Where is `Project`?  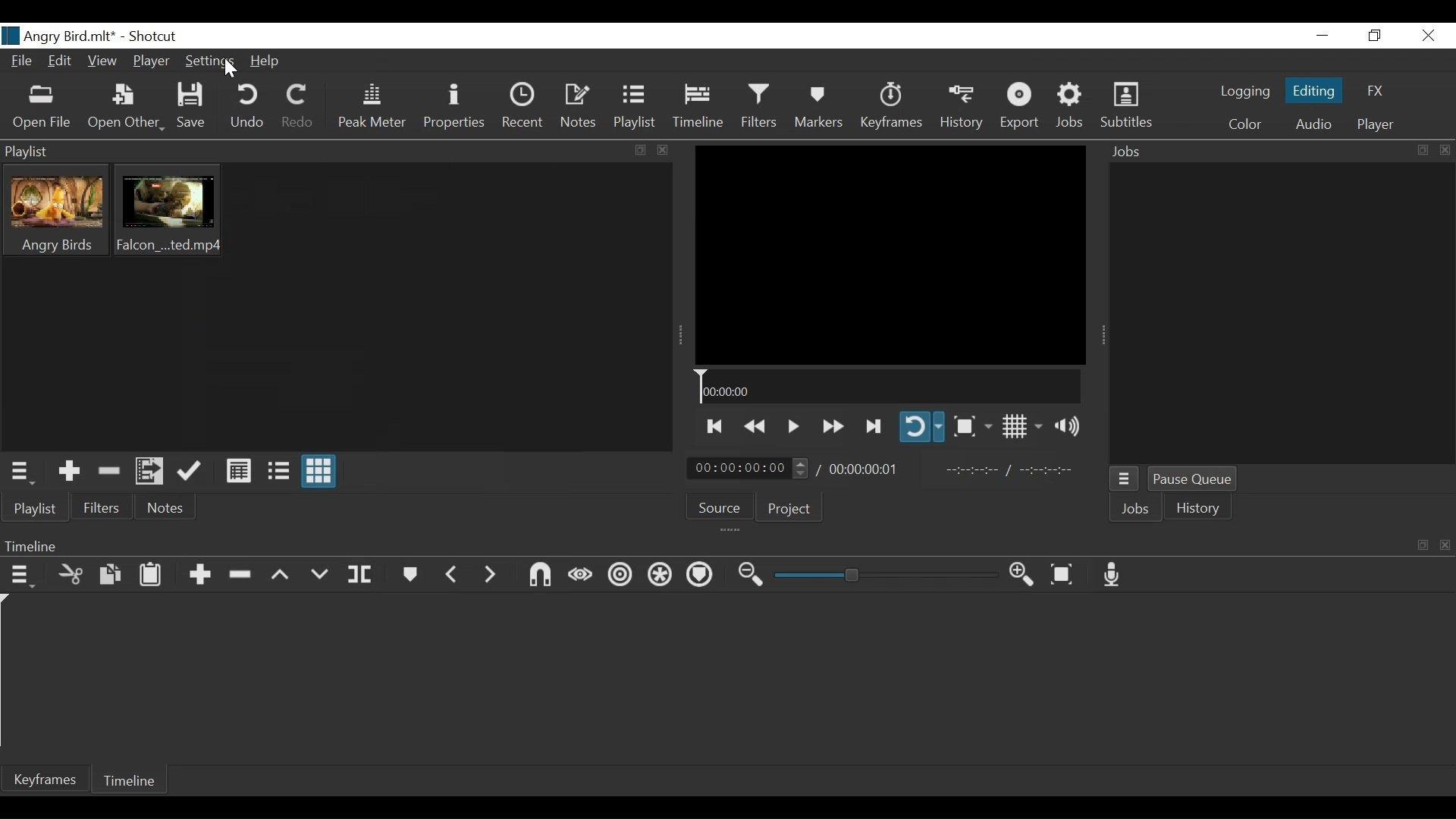 Project is located at coordinates (789, 509).